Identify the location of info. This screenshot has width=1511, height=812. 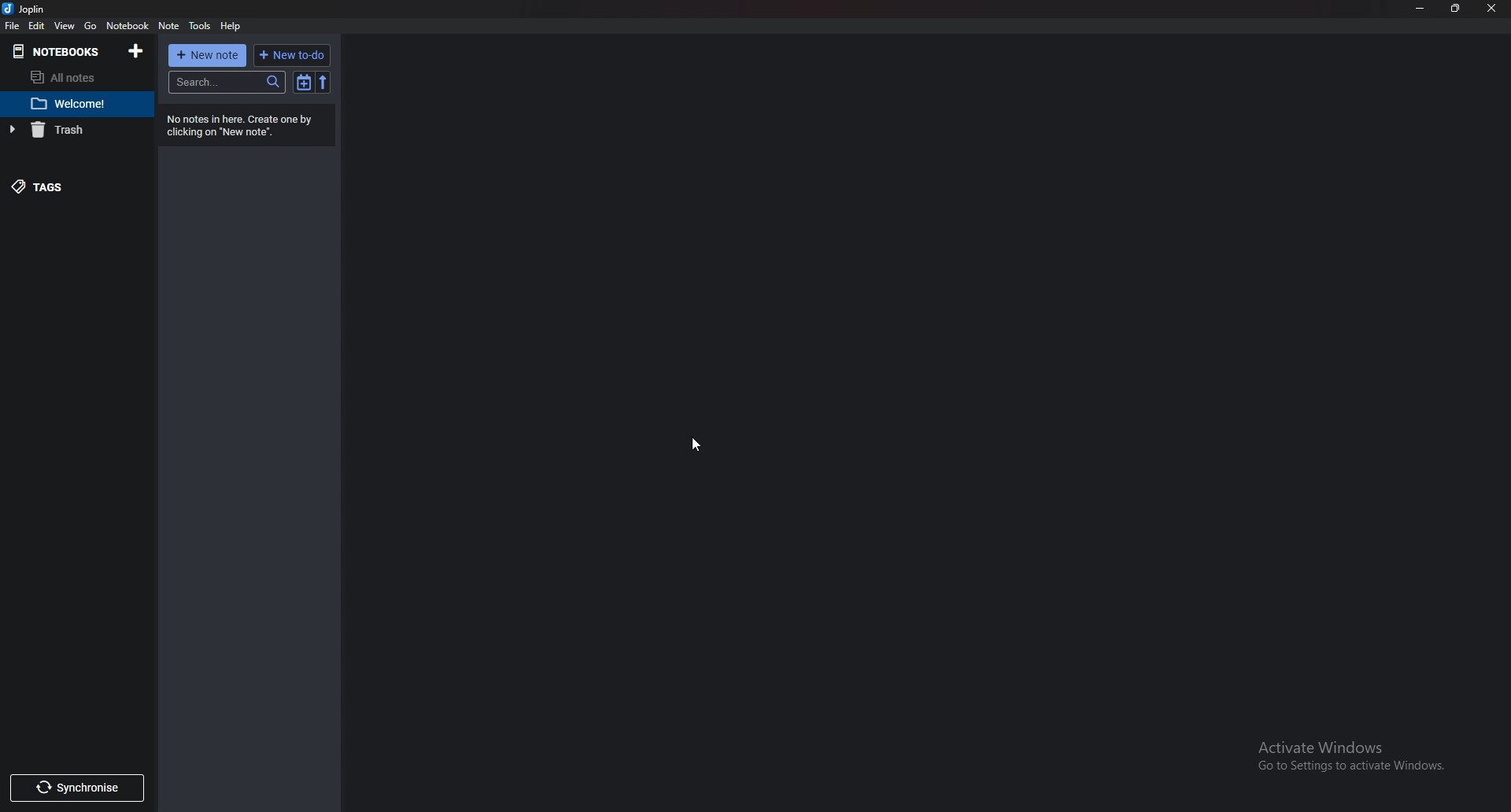
(249, 124).